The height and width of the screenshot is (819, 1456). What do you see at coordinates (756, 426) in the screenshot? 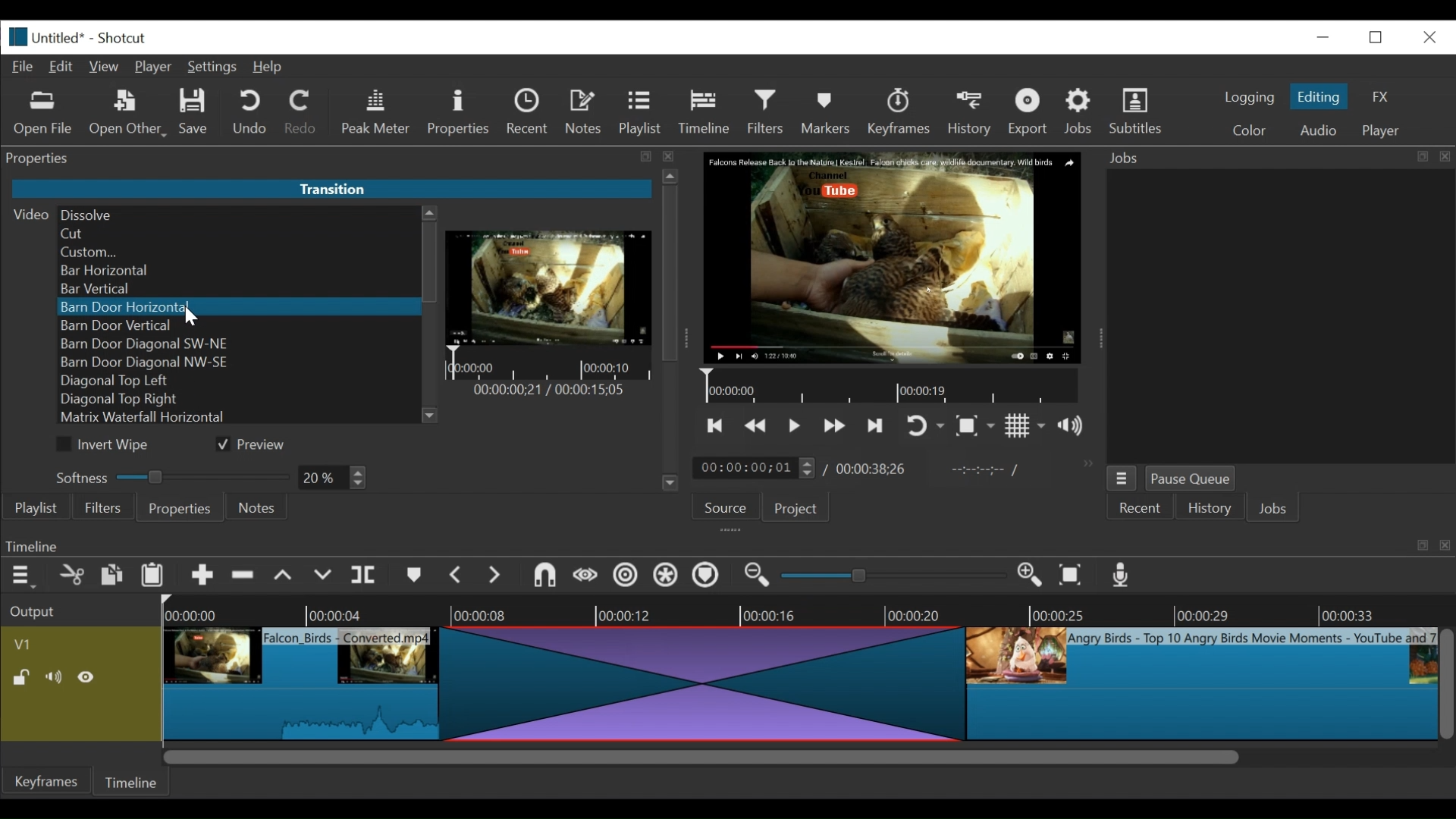
I see `play quickly backward` at bounding box center [756, 426].